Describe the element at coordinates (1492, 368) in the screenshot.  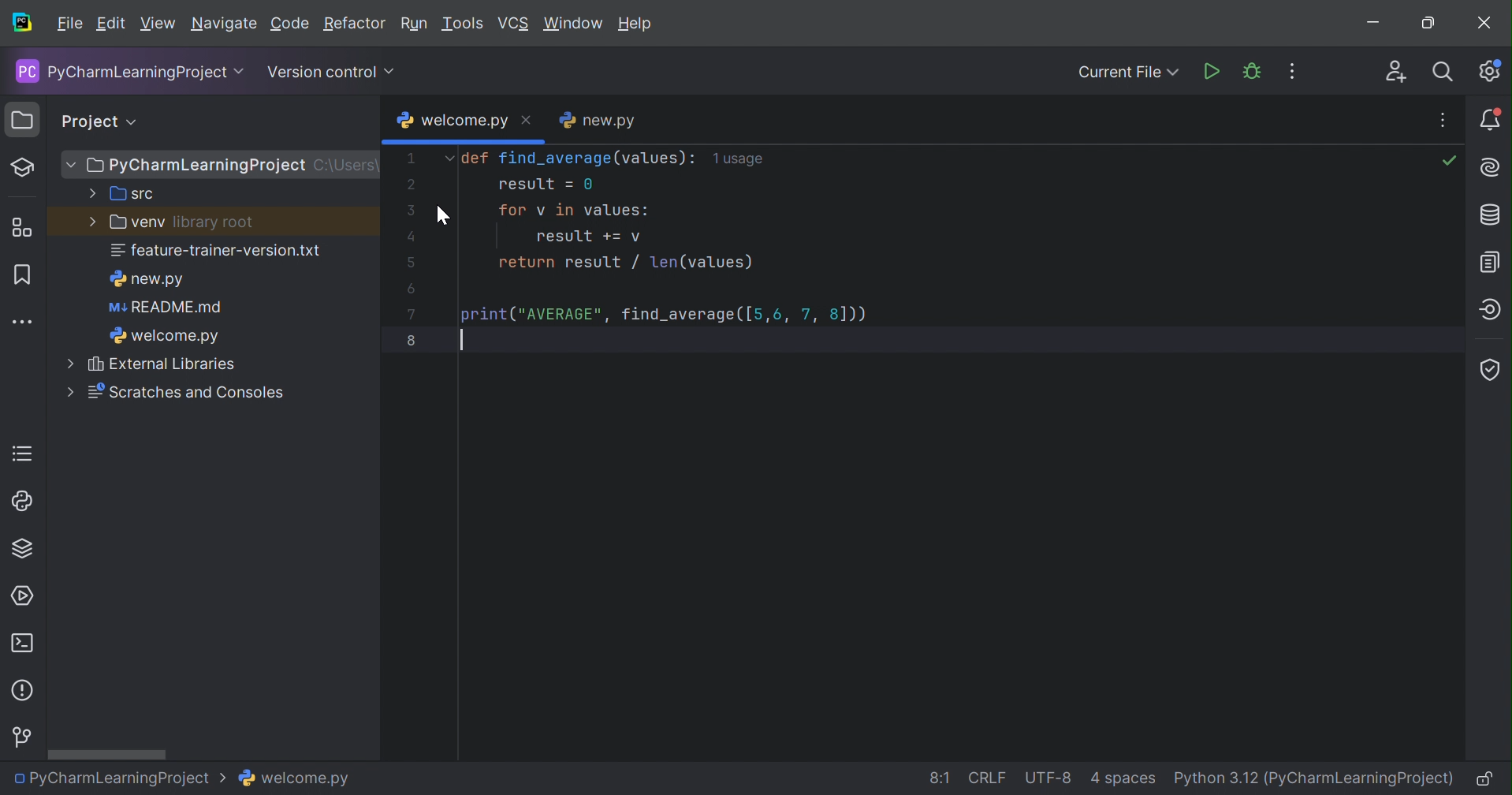
I see `Coverage` at that location.